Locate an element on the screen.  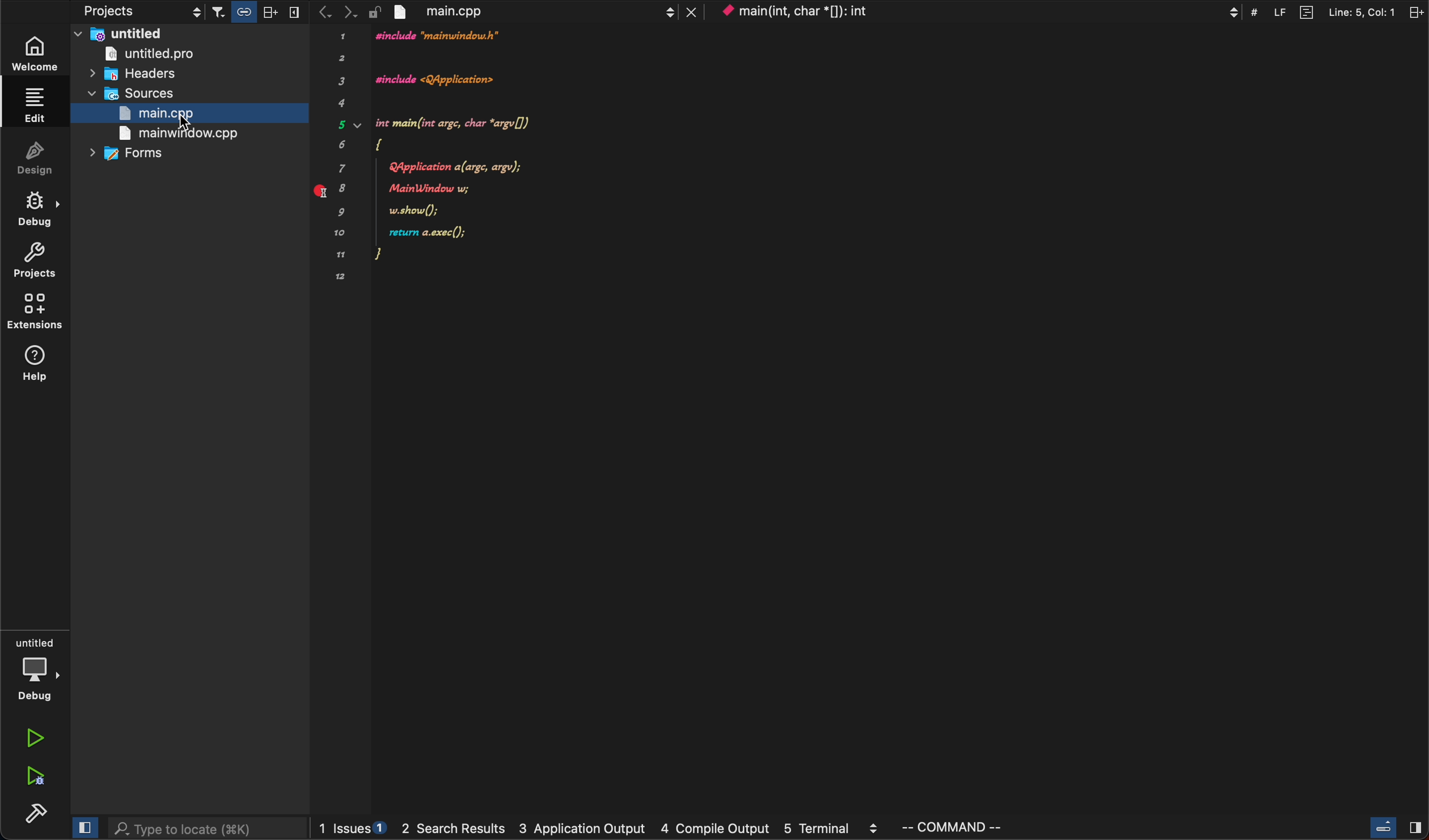
projects is located at coordinates (38, 260).